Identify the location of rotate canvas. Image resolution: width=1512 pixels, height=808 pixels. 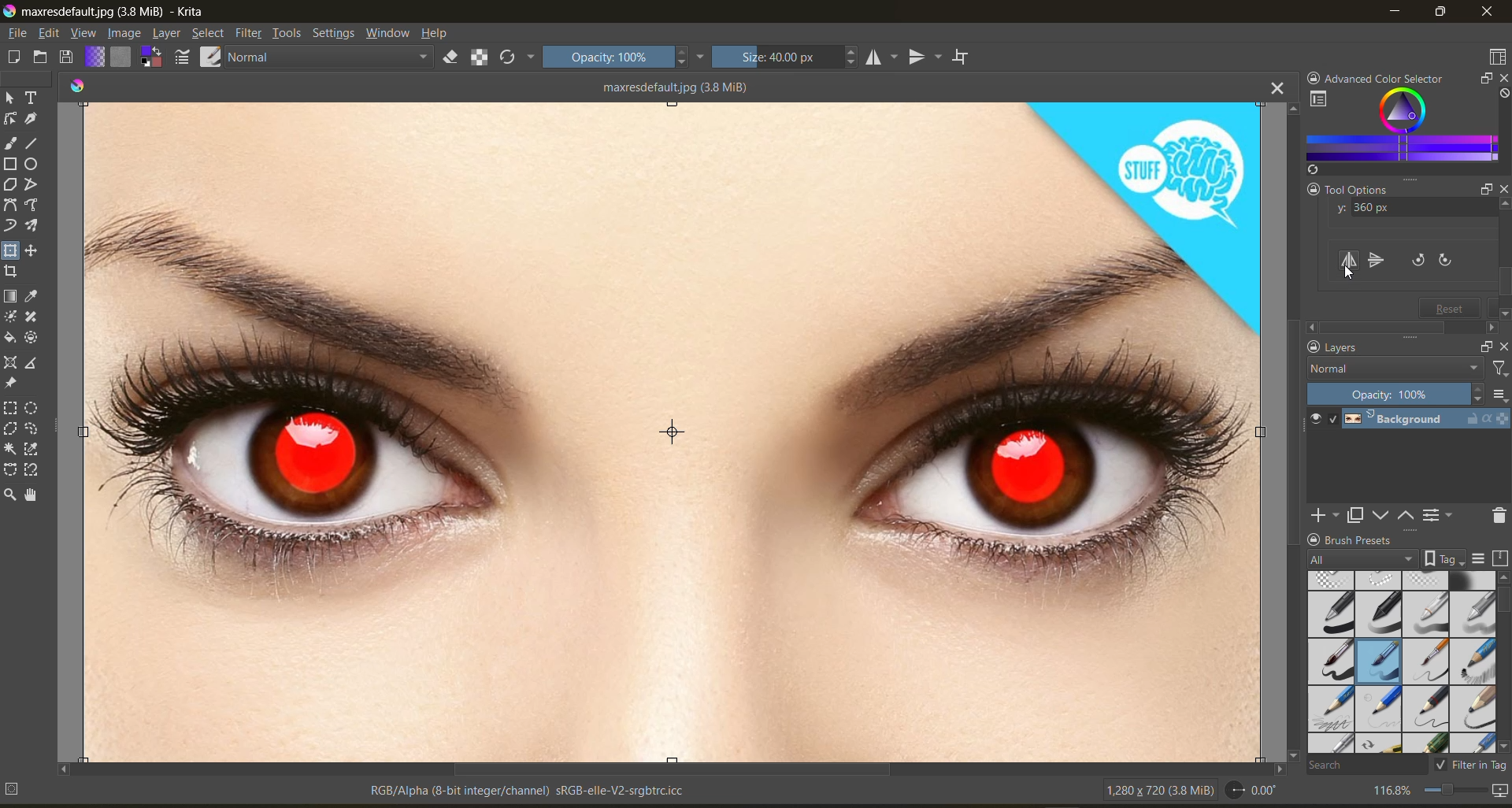
(1256, 793).